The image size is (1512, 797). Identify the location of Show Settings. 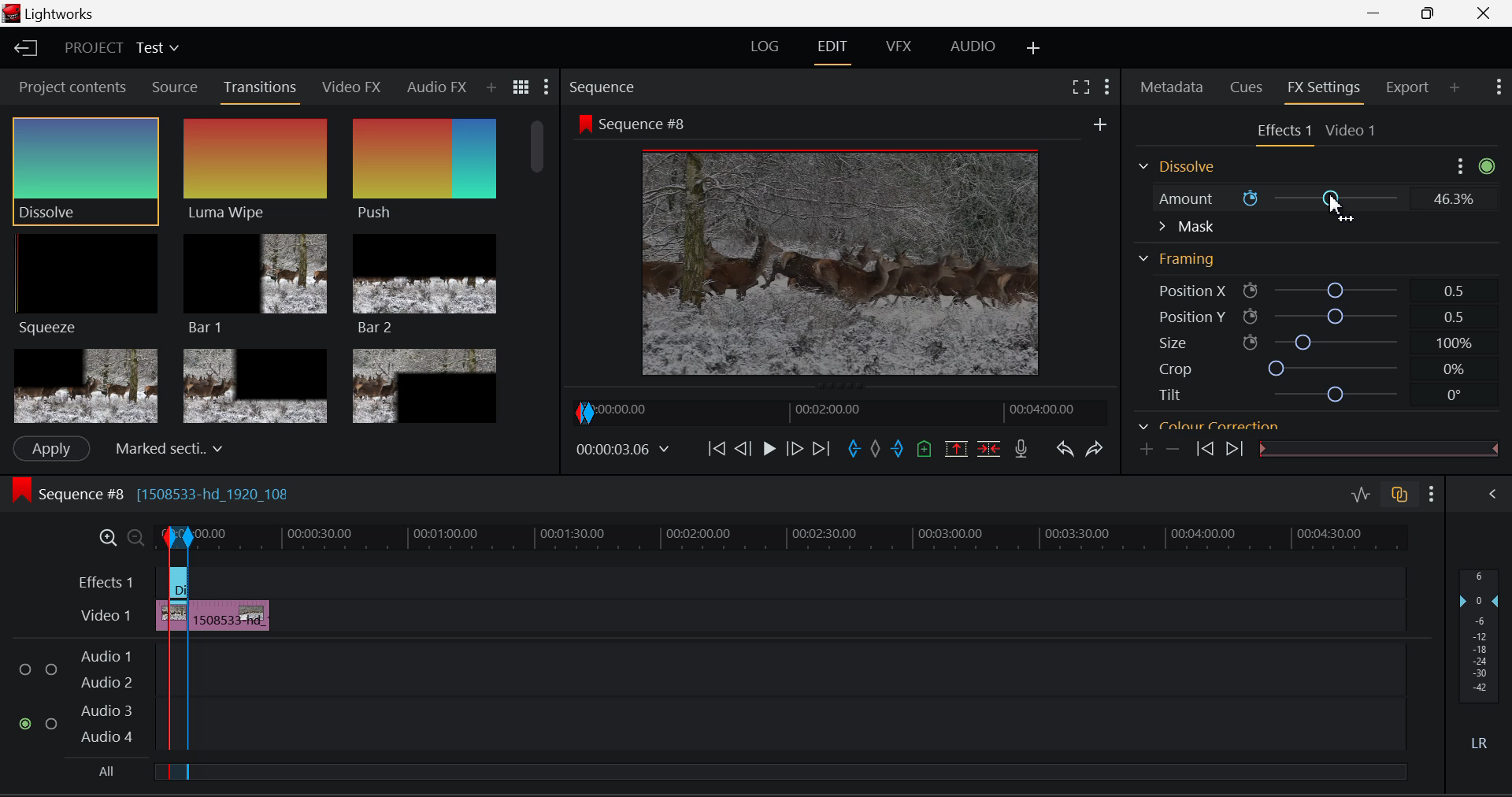
(547, 86).